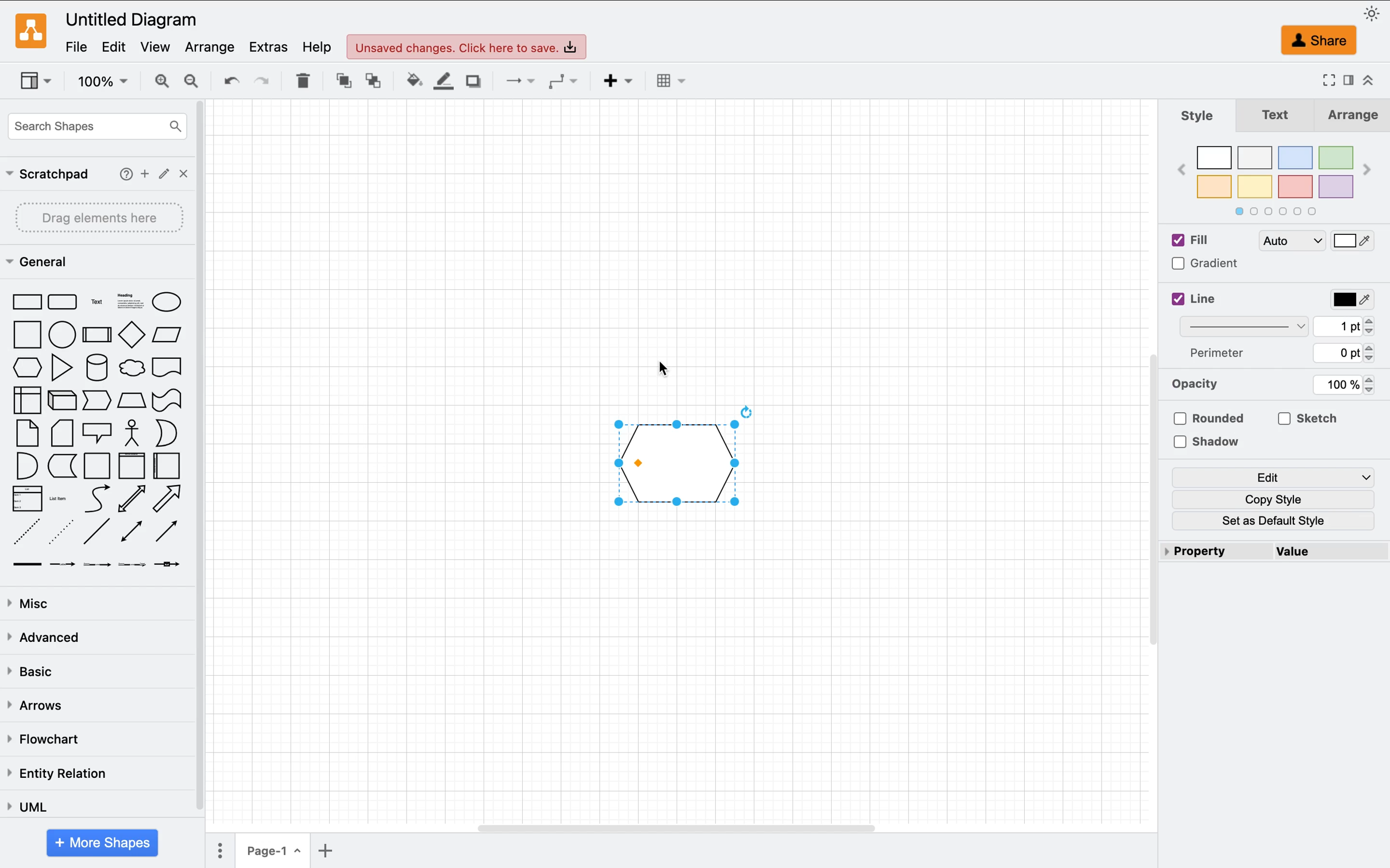 This screenshot has height=868, width=1390. I want to click on rectangle, so click(24, 301).